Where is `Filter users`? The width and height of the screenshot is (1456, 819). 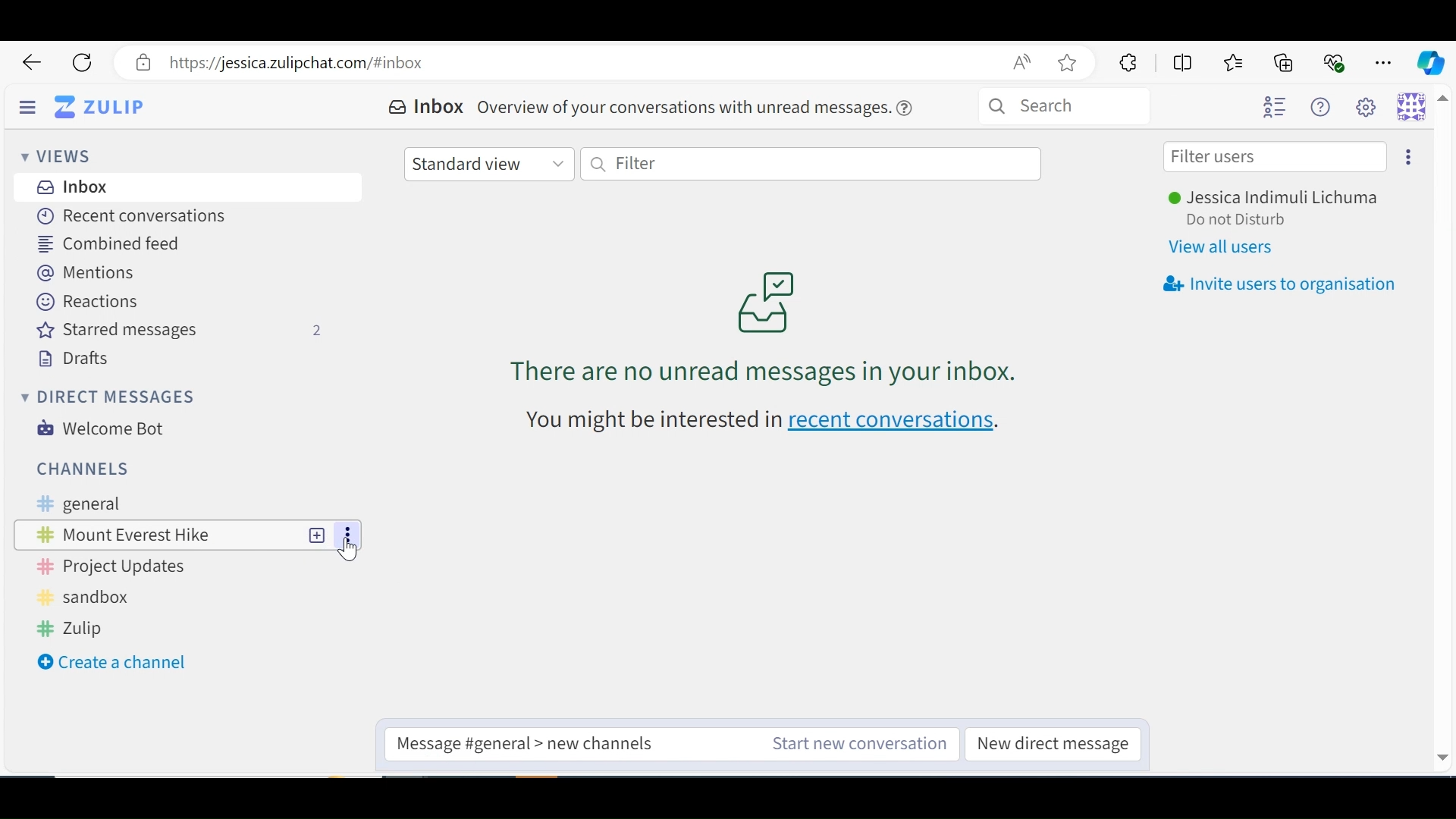 Filter users is located at coordinates (1276, 157).